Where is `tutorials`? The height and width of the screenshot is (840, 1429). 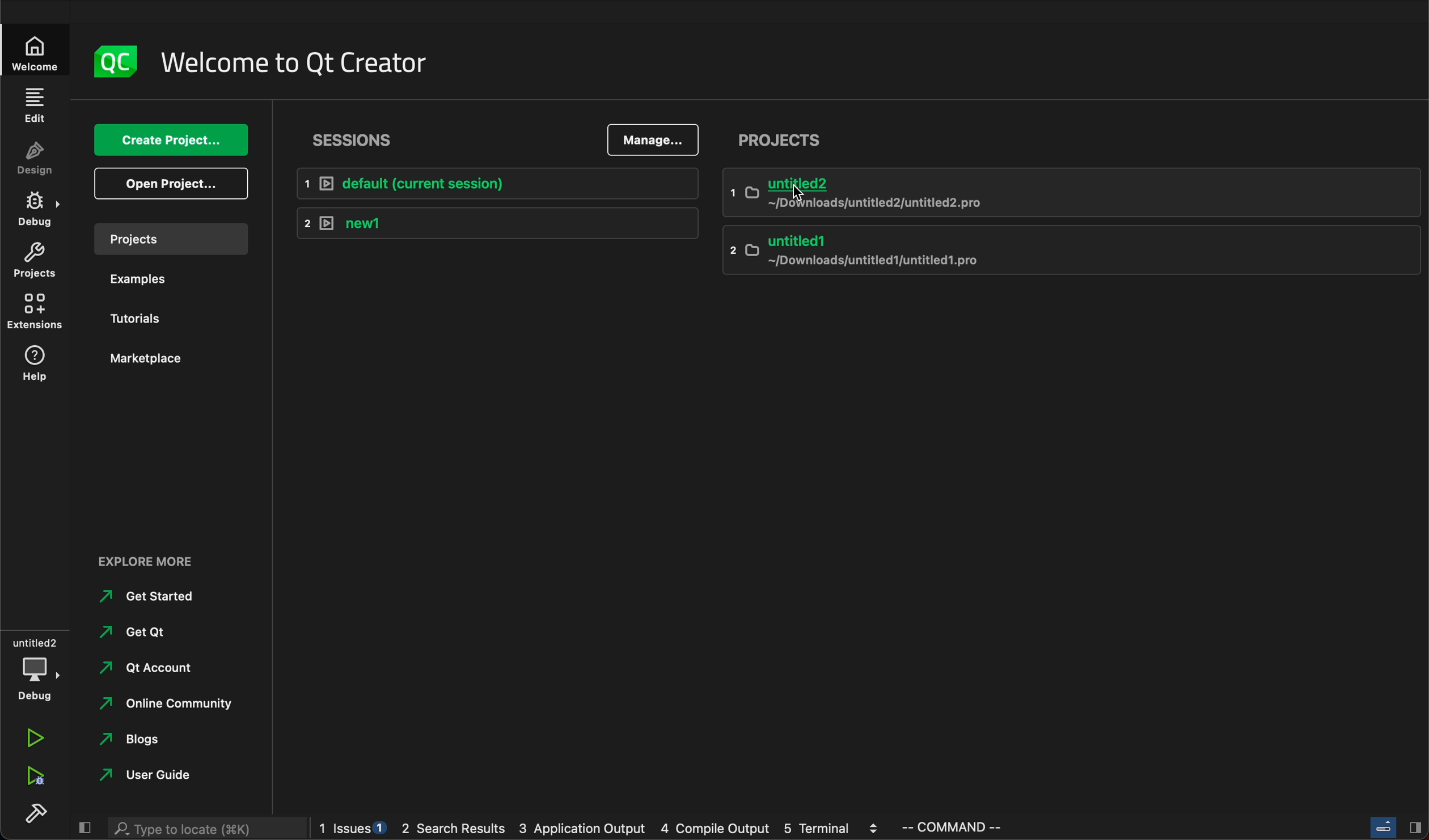
tutorials is located at coordinates (158, 316).